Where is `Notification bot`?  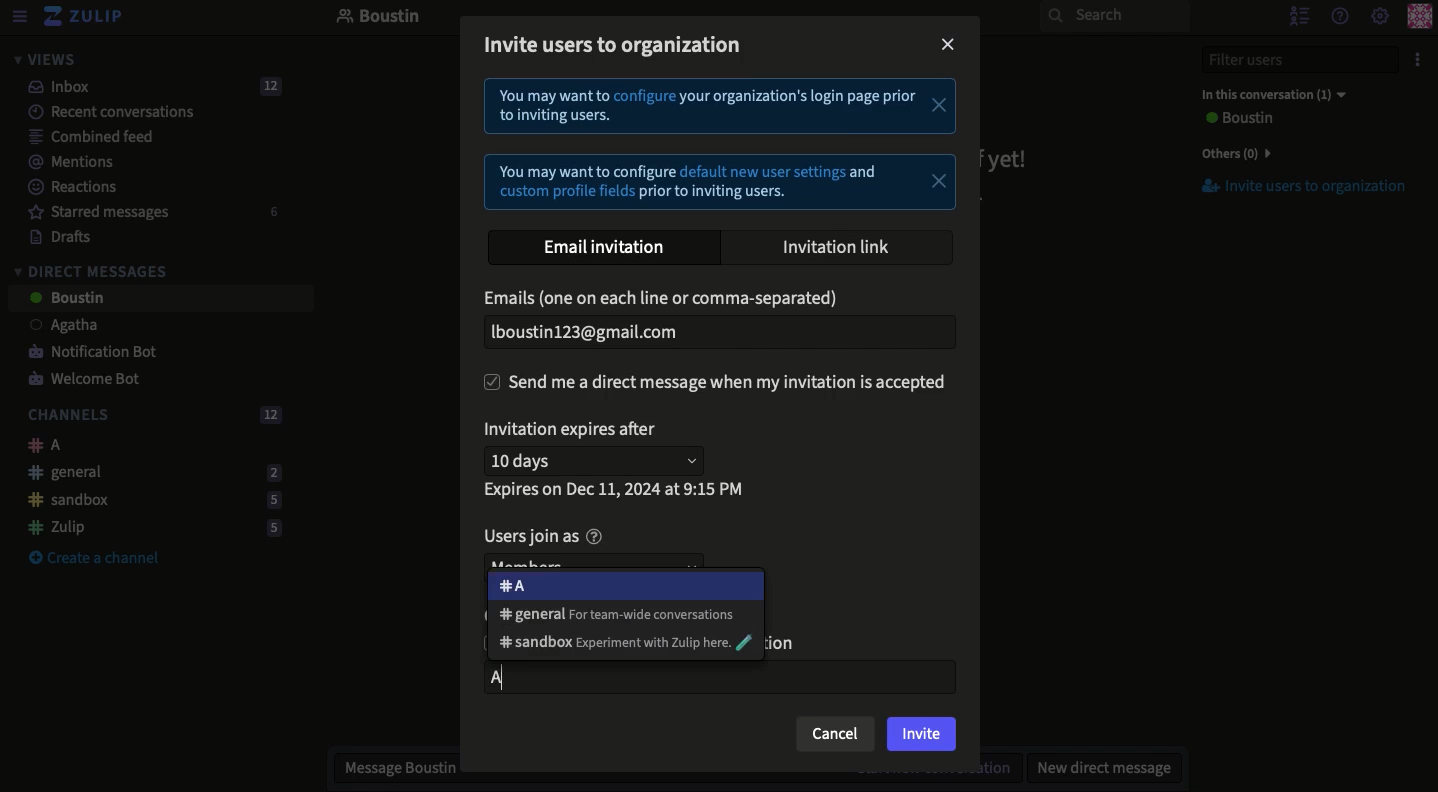 Notification bot is located at coordinates (85, 353).